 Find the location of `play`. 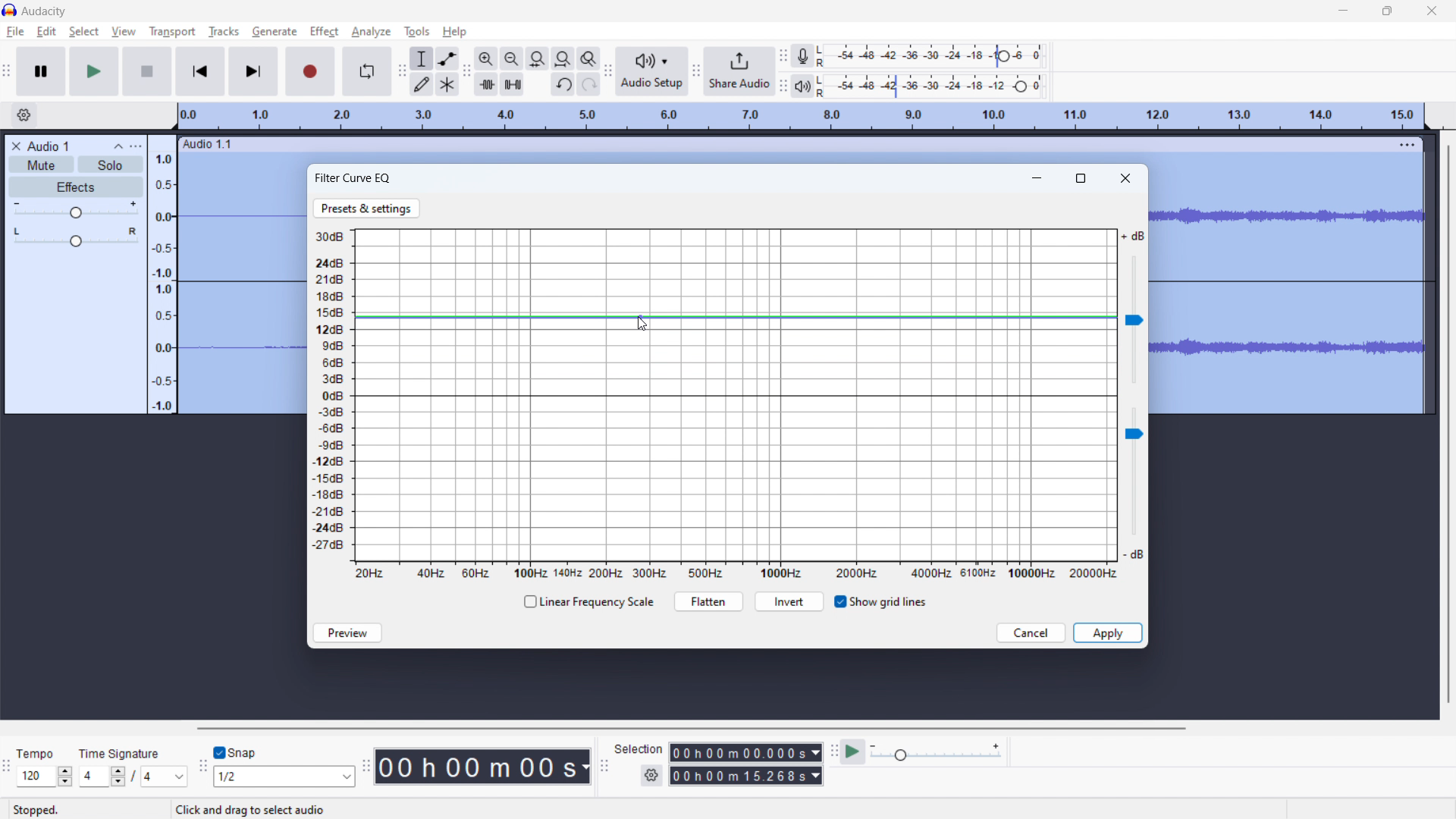

play is located at coordinates (95, 71).